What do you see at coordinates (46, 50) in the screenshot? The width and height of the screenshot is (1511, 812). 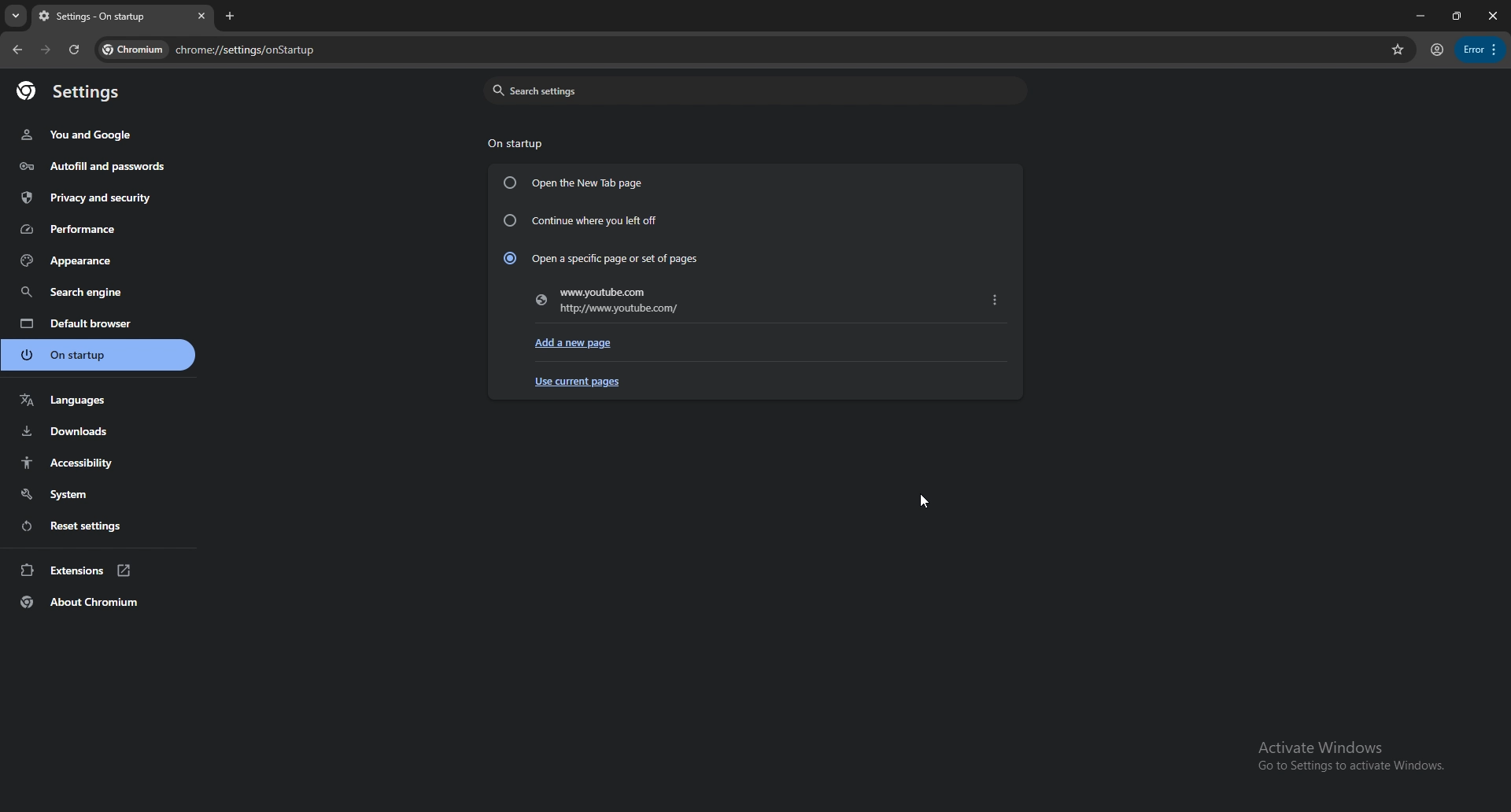 I see `forward` at bounding box center [46, 50].